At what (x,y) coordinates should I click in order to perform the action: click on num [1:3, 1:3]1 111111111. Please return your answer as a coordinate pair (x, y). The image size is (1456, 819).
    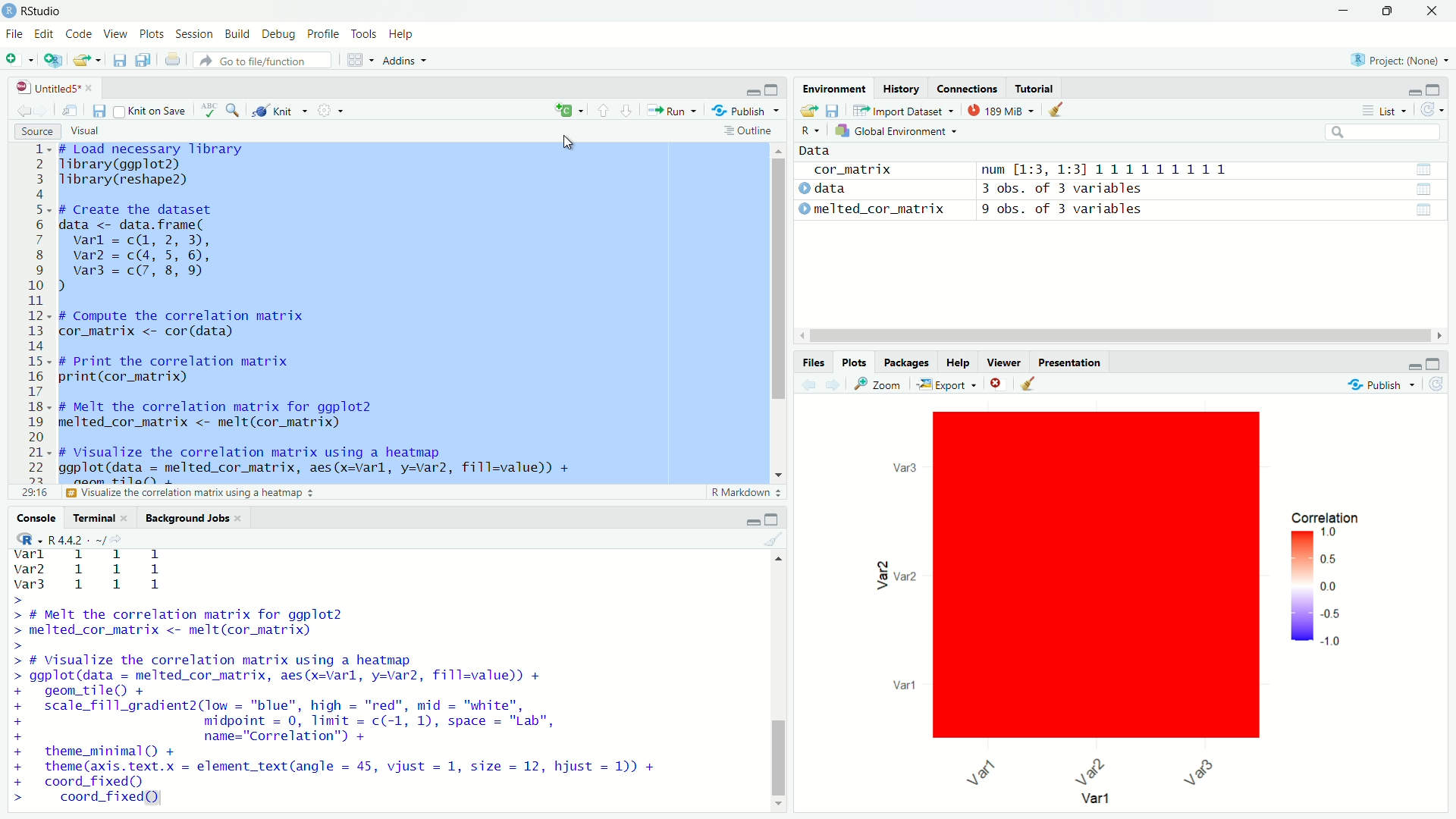
    Looking at the image, I should click on (1212, 170).